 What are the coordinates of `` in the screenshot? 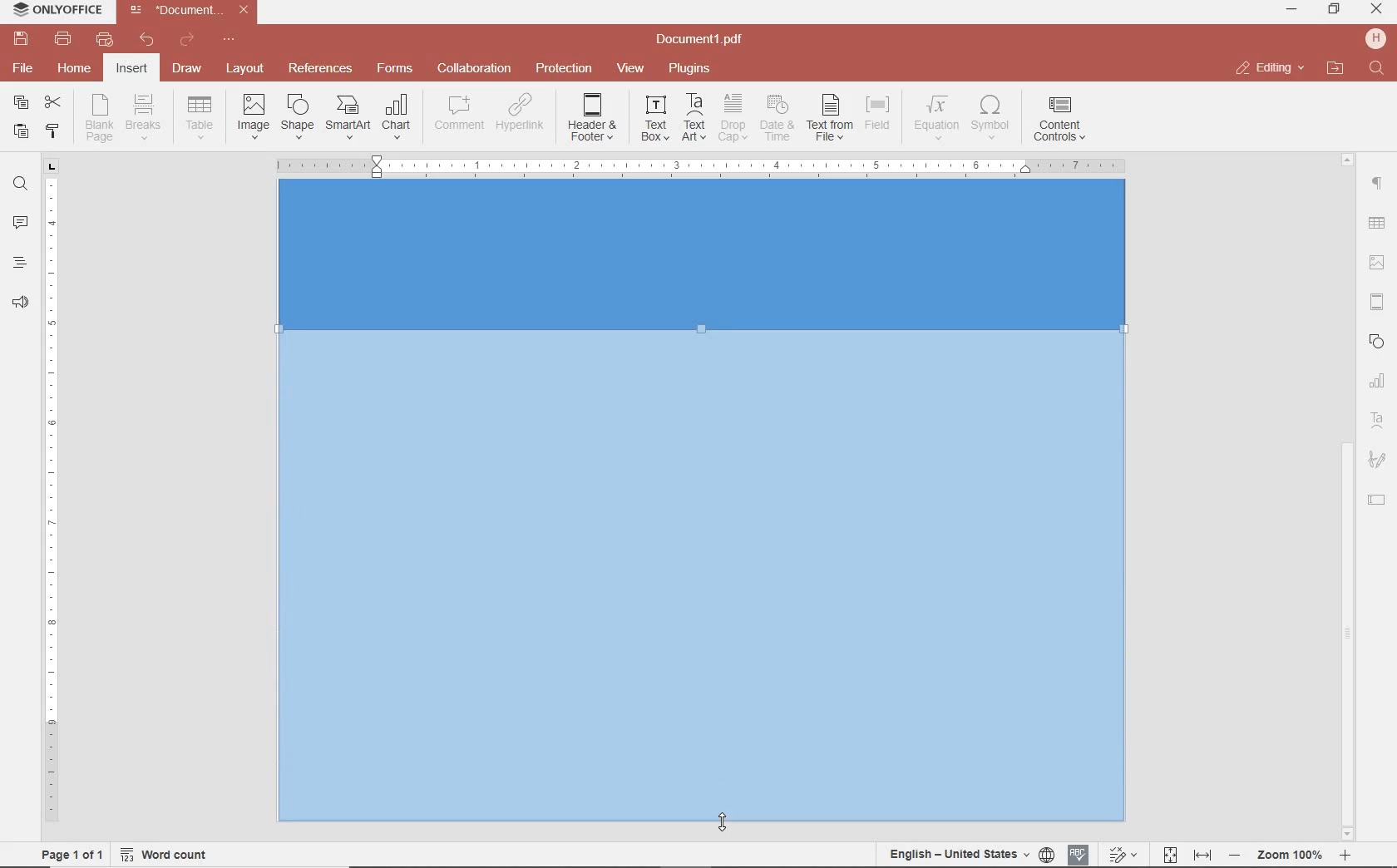 It's located at (1347, 157).